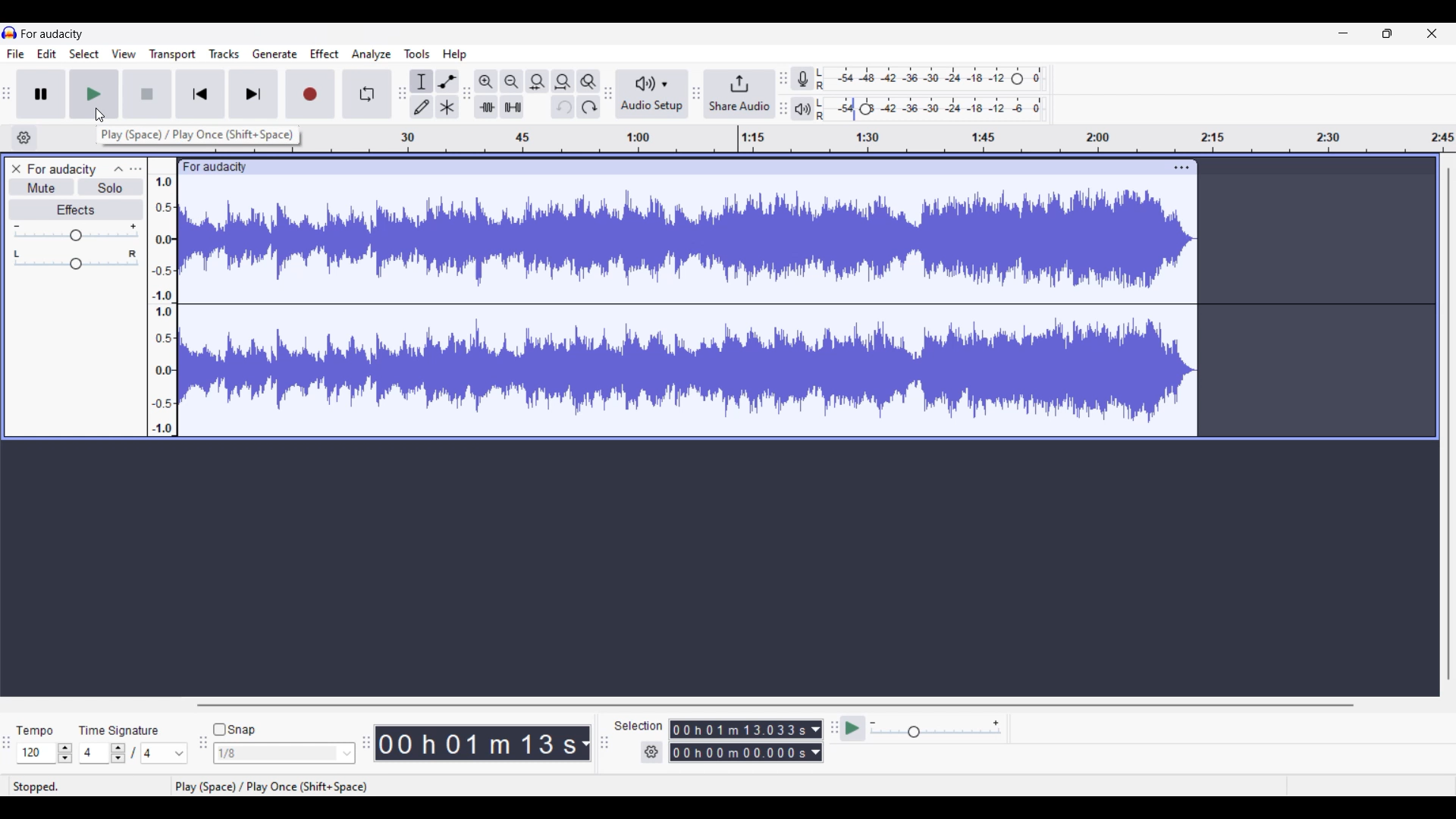 This screenshot has height=819, width=1456. What do you see at coordinates (17, 168) in the screenshot?
I see `Close track` at bounding box center [17, 168].